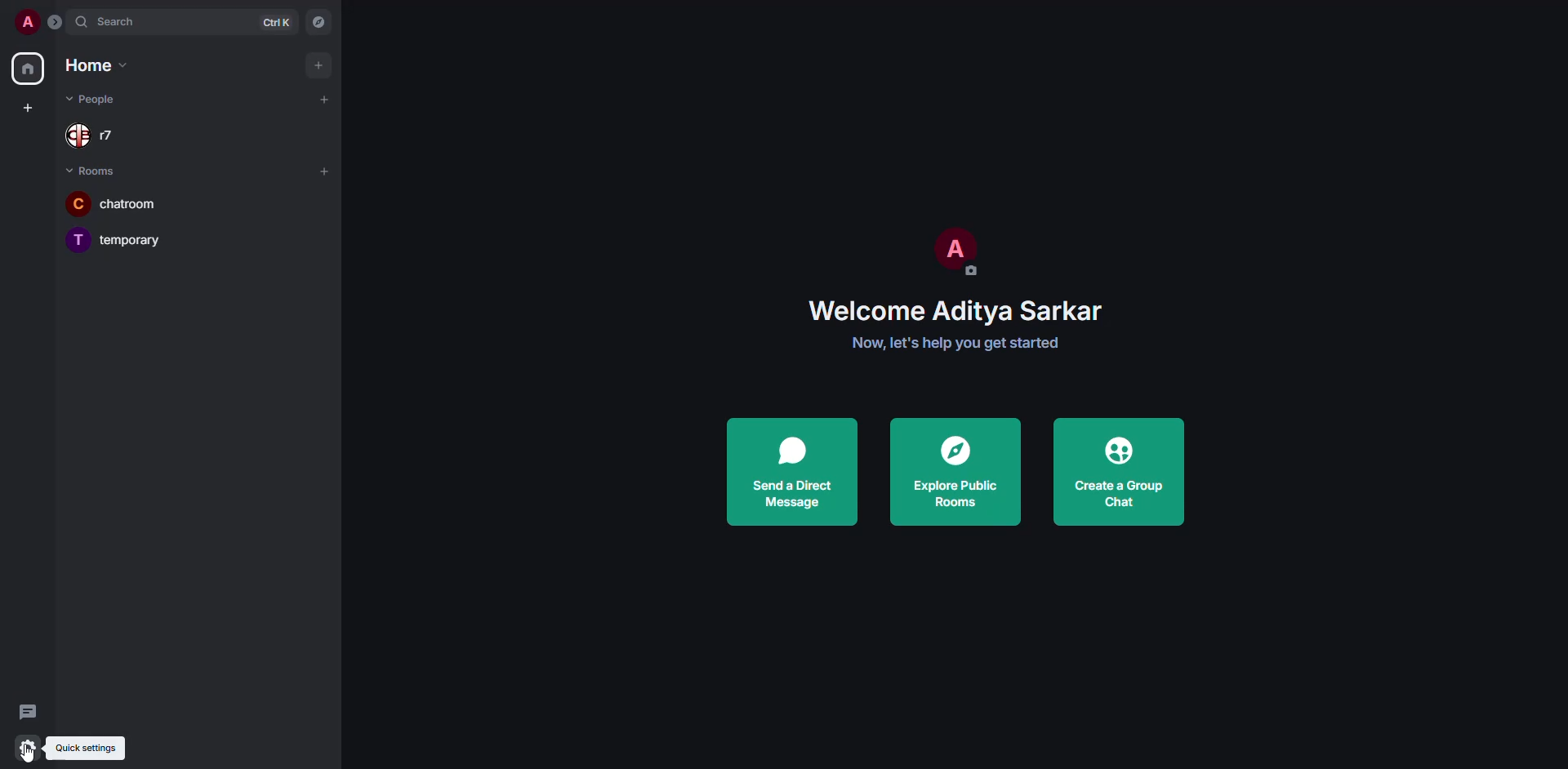 This screenshot has width=1568, height=769. Describe the element at coordinates (98, 67) in the screenshot. I see `home` at that location.